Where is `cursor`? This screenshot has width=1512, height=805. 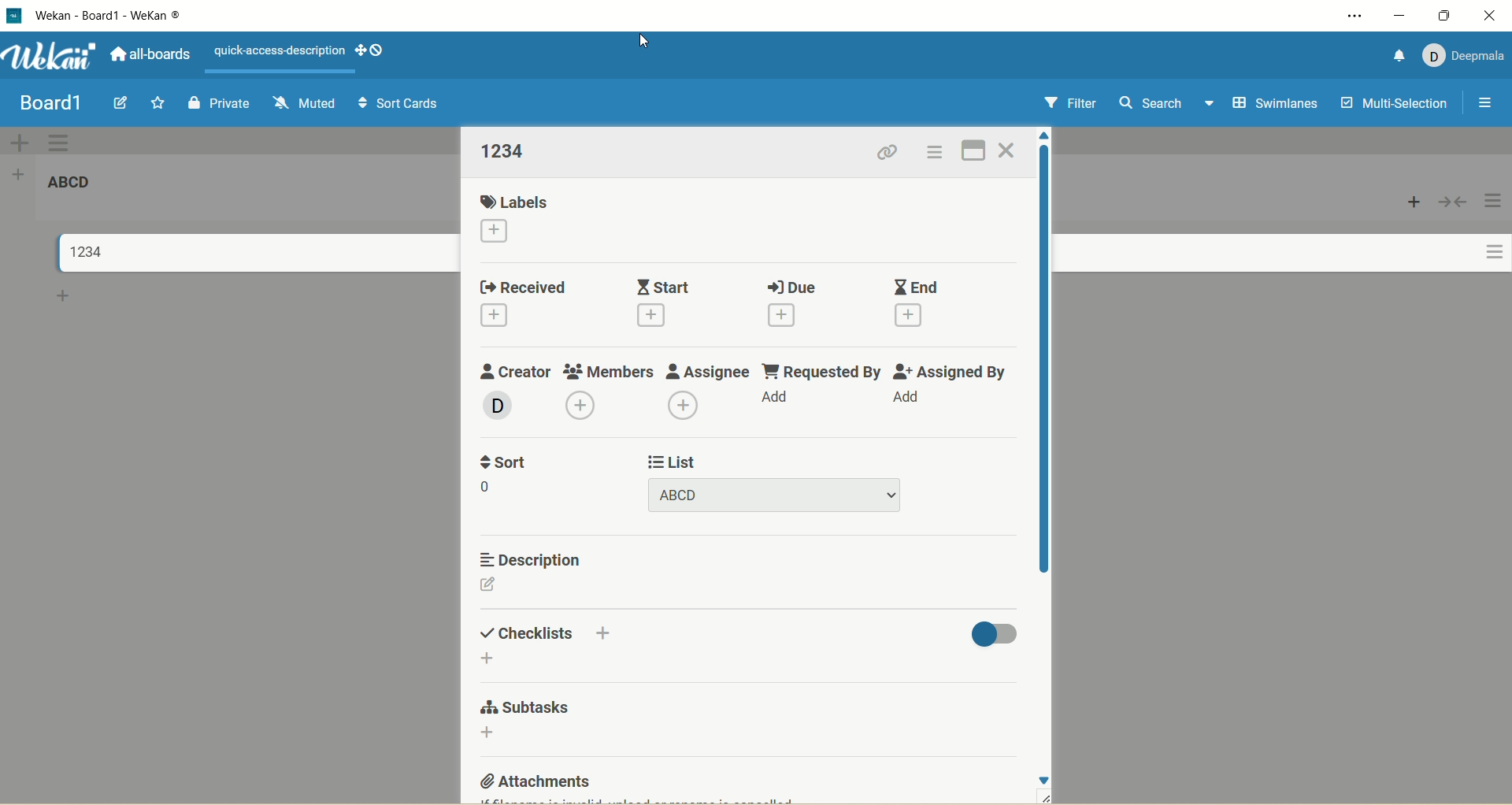 cursor is located at coordinates (645, 39).